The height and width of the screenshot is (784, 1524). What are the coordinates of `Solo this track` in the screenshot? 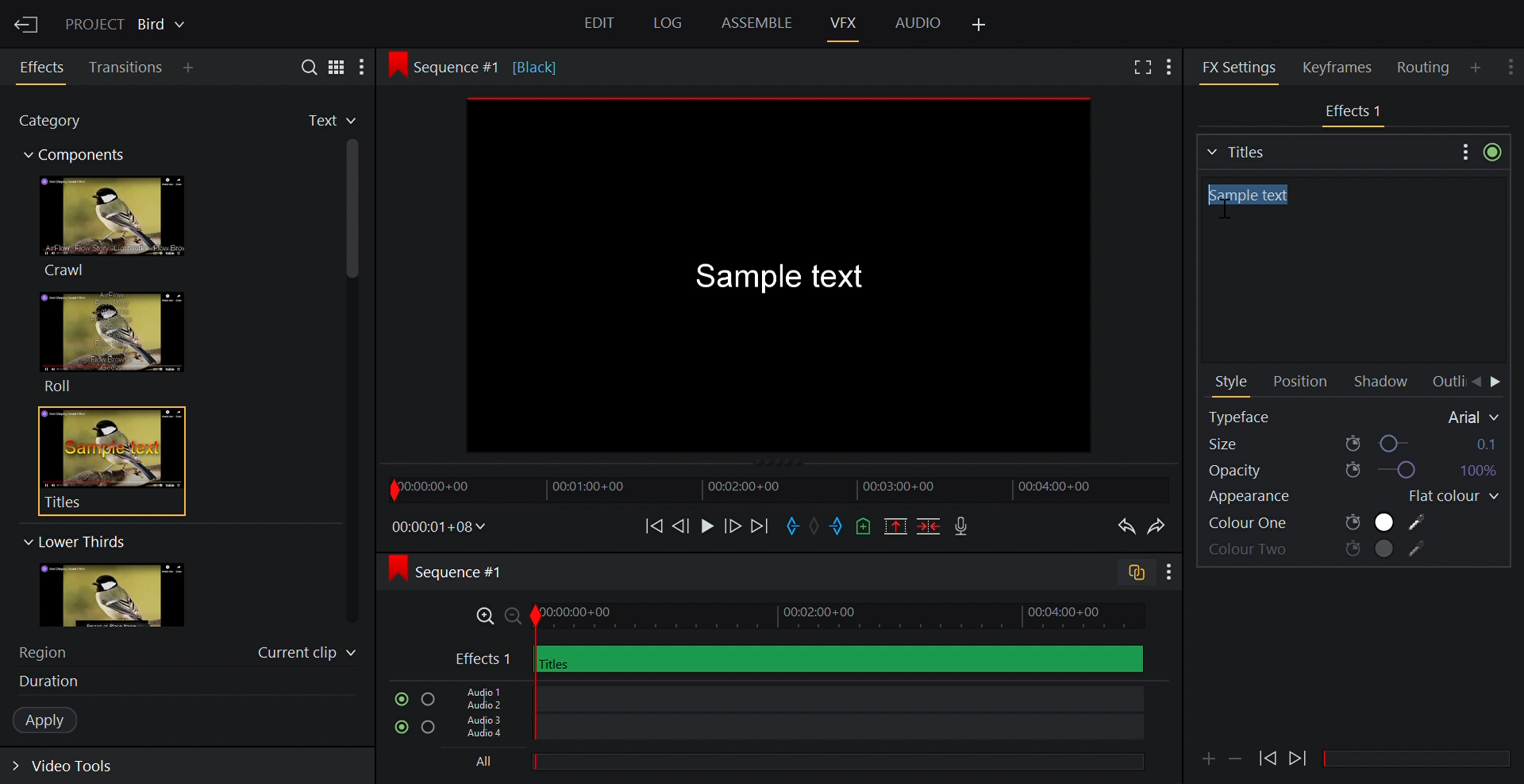 It's located at (429, 729).